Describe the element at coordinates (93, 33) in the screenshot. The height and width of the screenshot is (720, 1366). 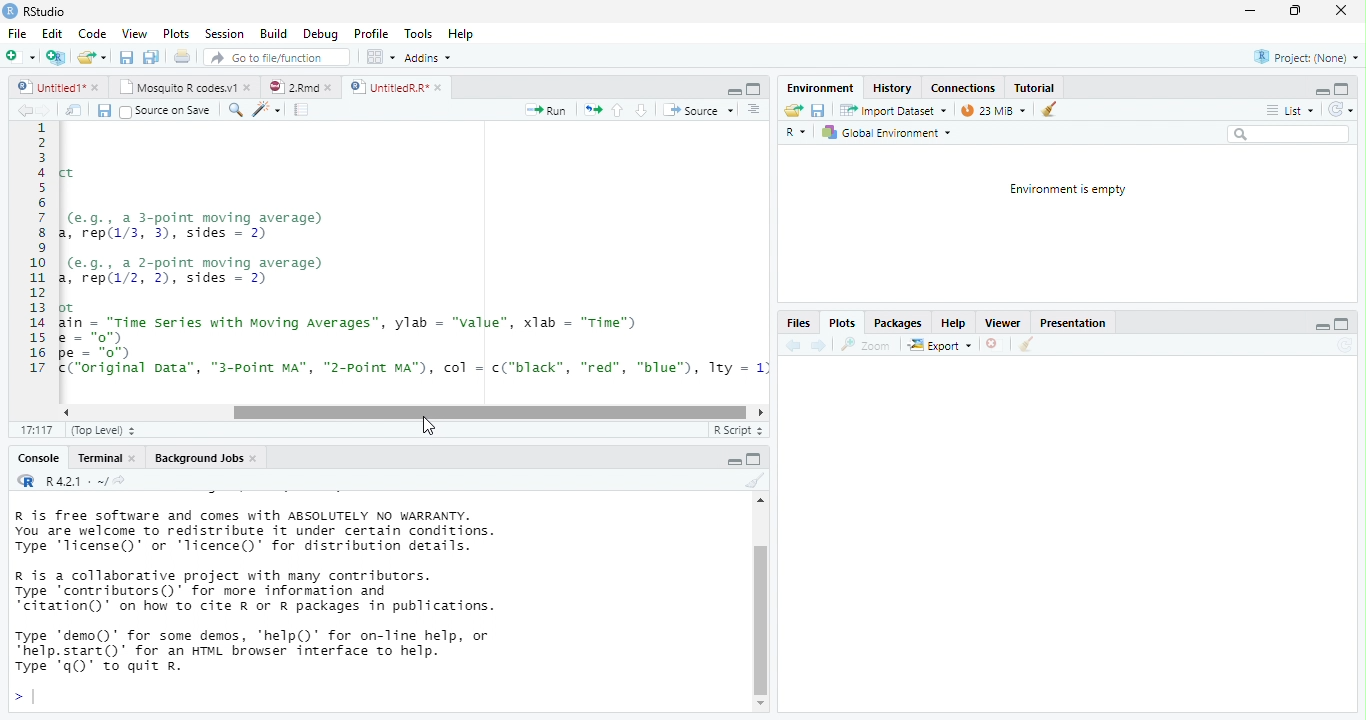
I see `Code` at that location.